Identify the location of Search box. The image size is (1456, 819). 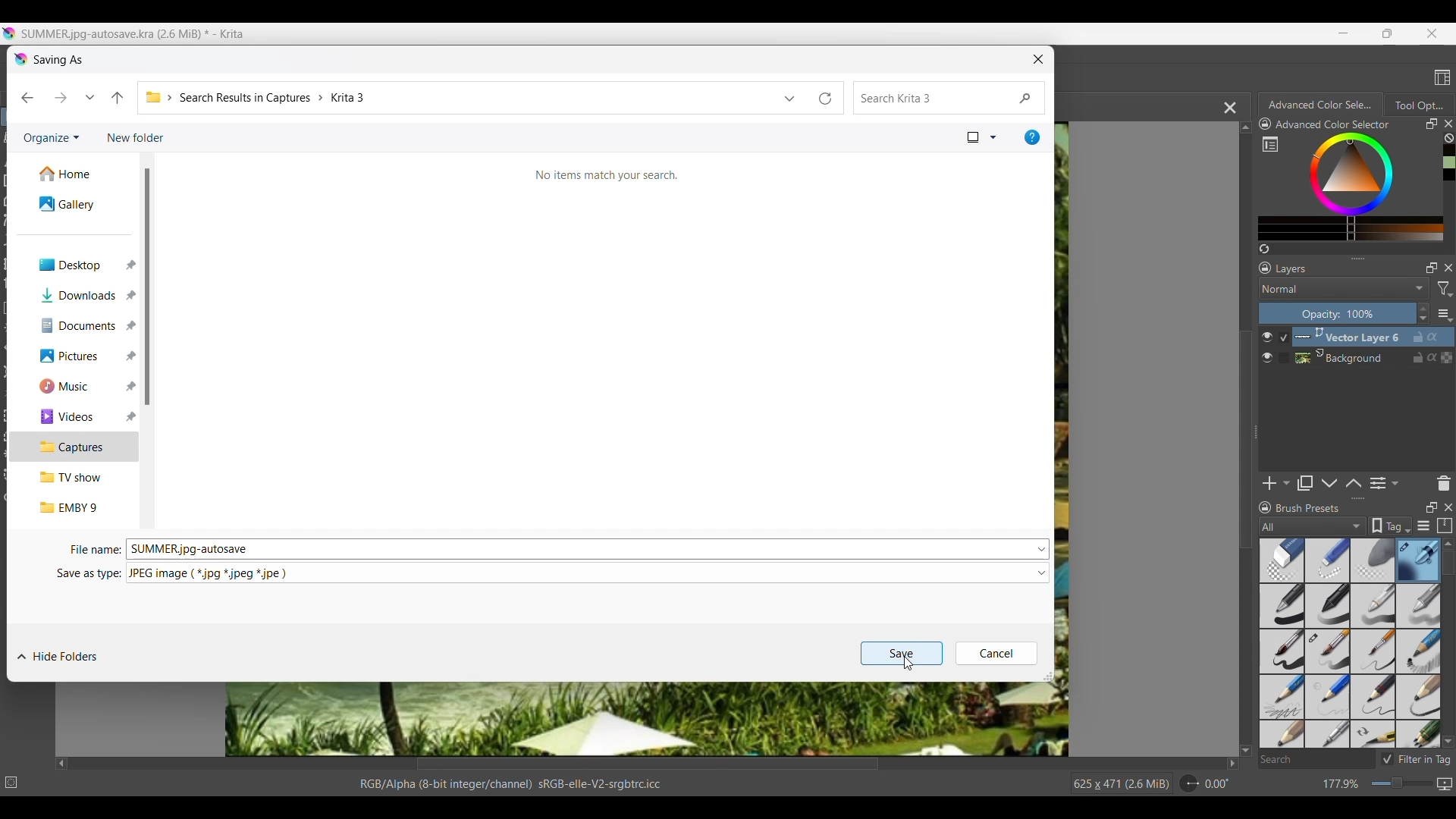
(1316, 759).